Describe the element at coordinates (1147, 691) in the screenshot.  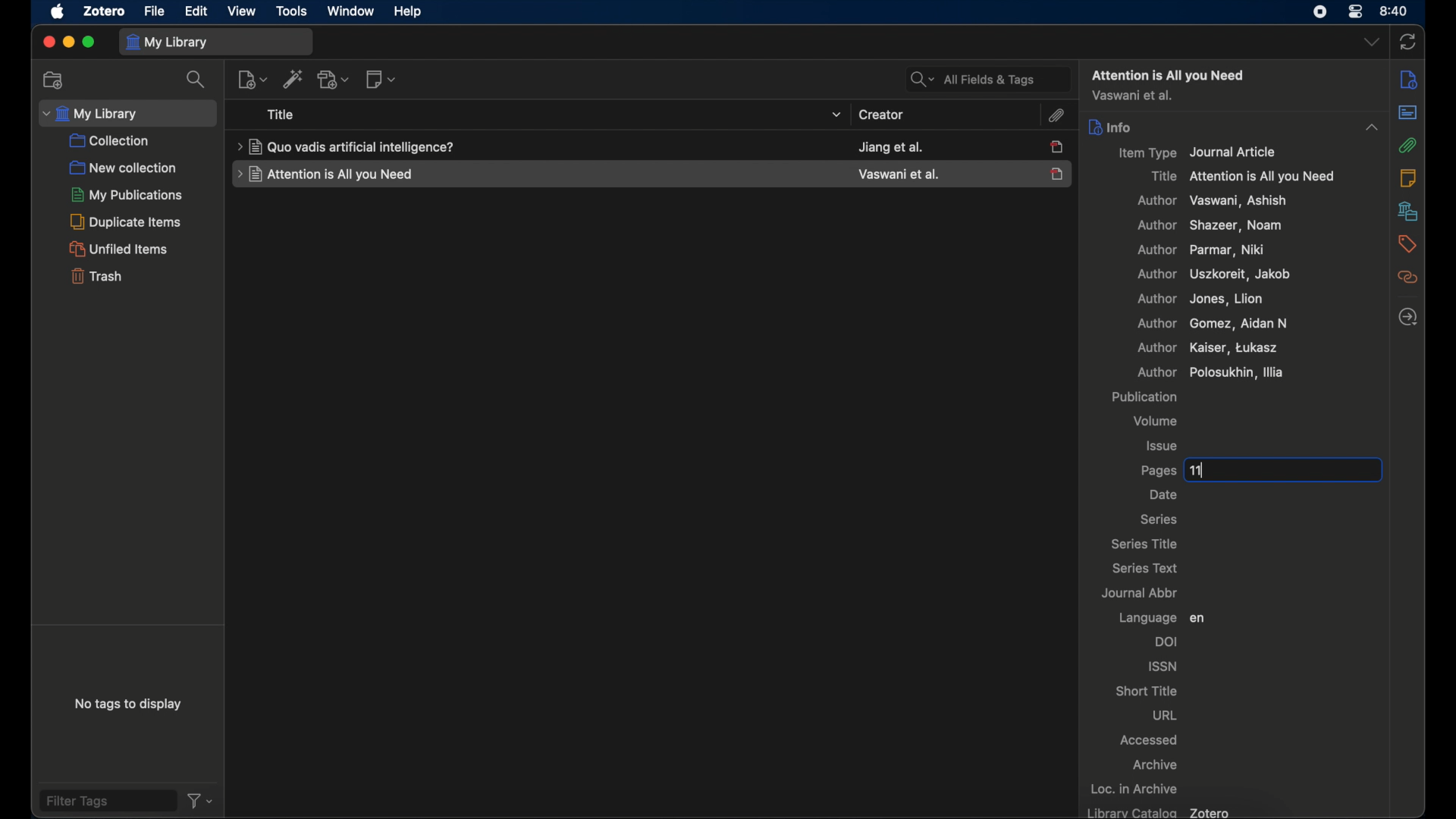
I see `short title` at that location.